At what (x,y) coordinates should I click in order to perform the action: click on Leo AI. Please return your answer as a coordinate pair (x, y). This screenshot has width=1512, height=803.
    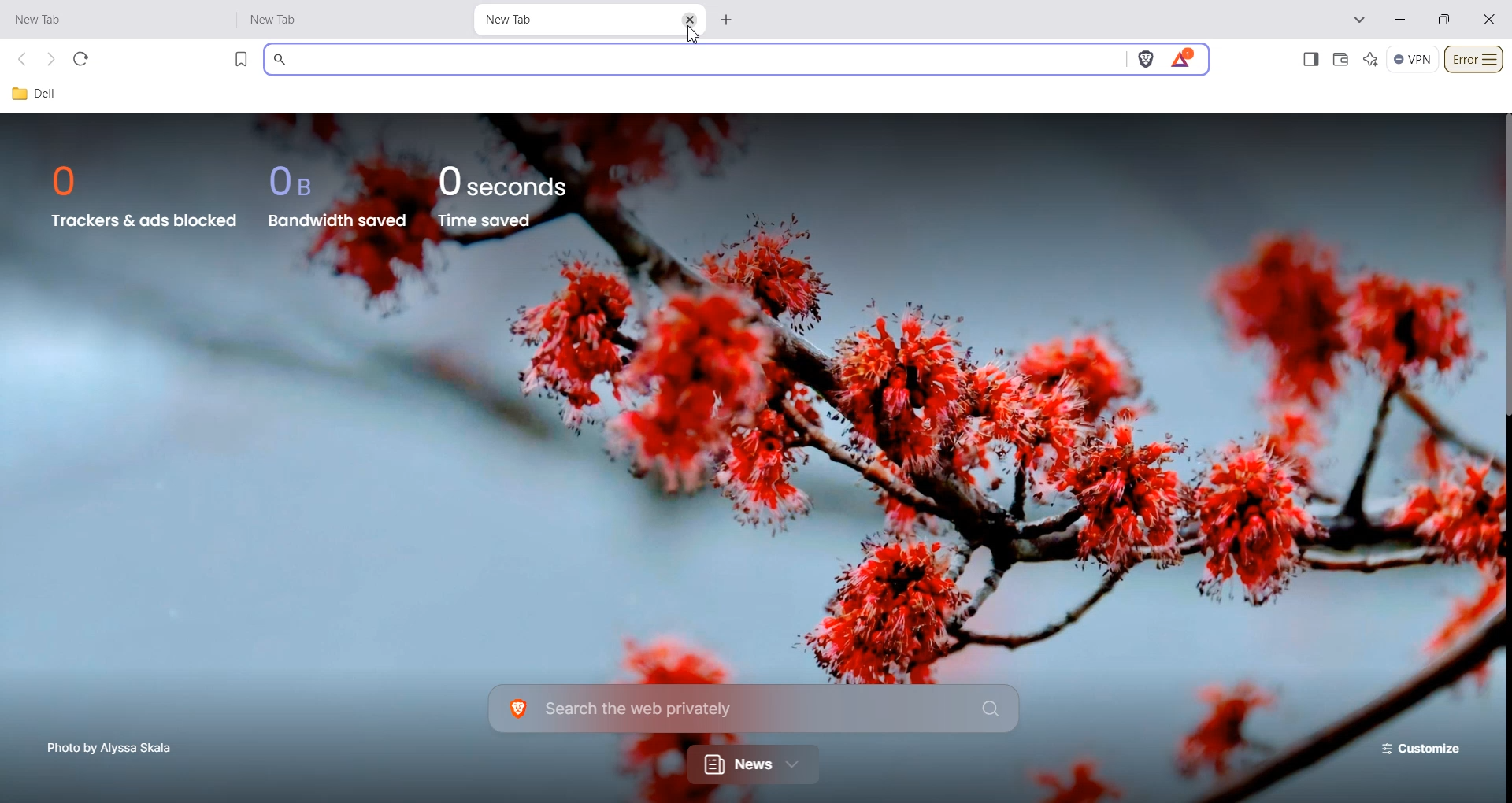
    Looking at the image, I should click on (1371, 60).